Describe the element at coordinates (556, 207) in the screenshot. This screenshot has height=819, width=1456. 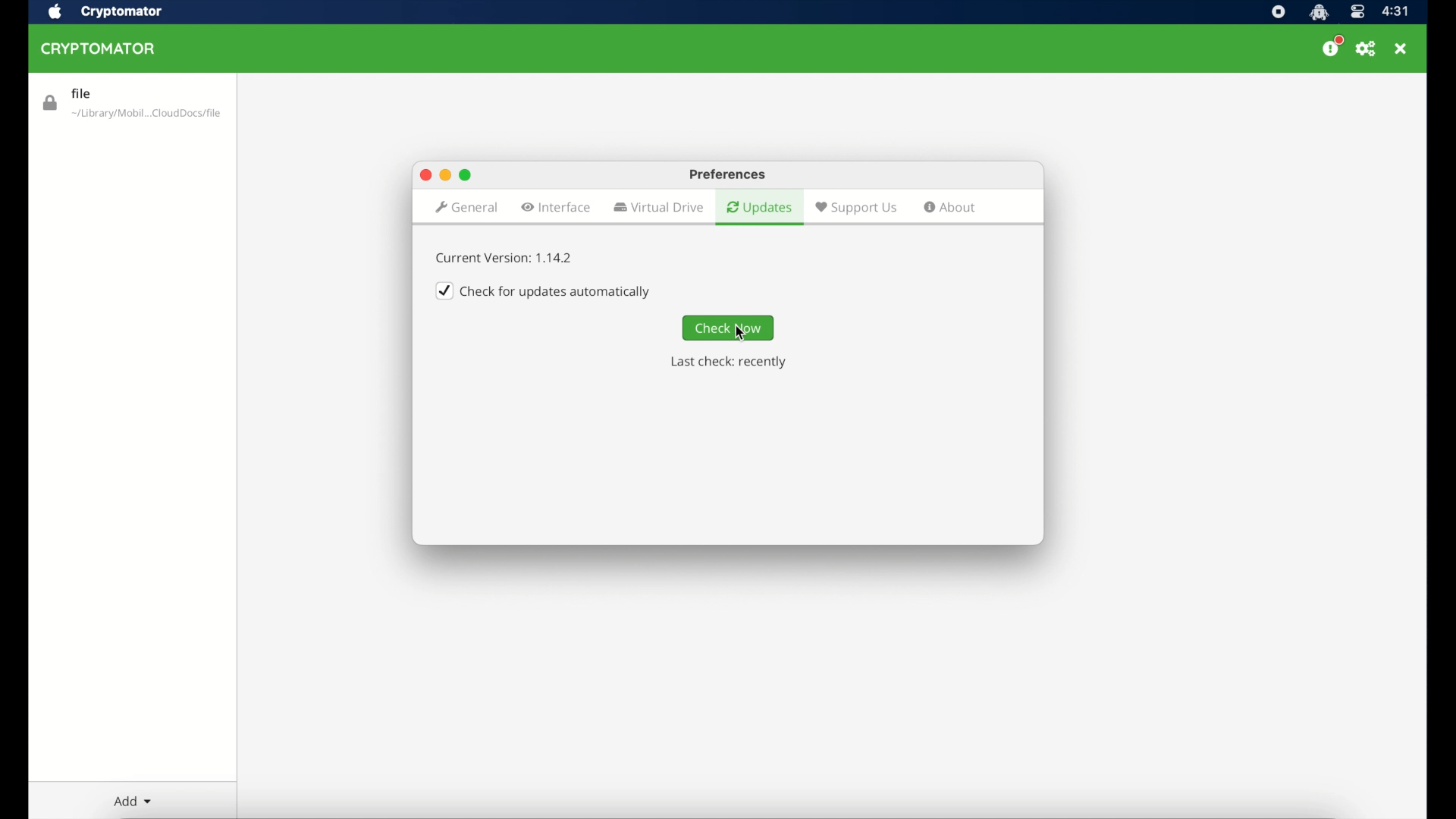
I see `interface` at that location.